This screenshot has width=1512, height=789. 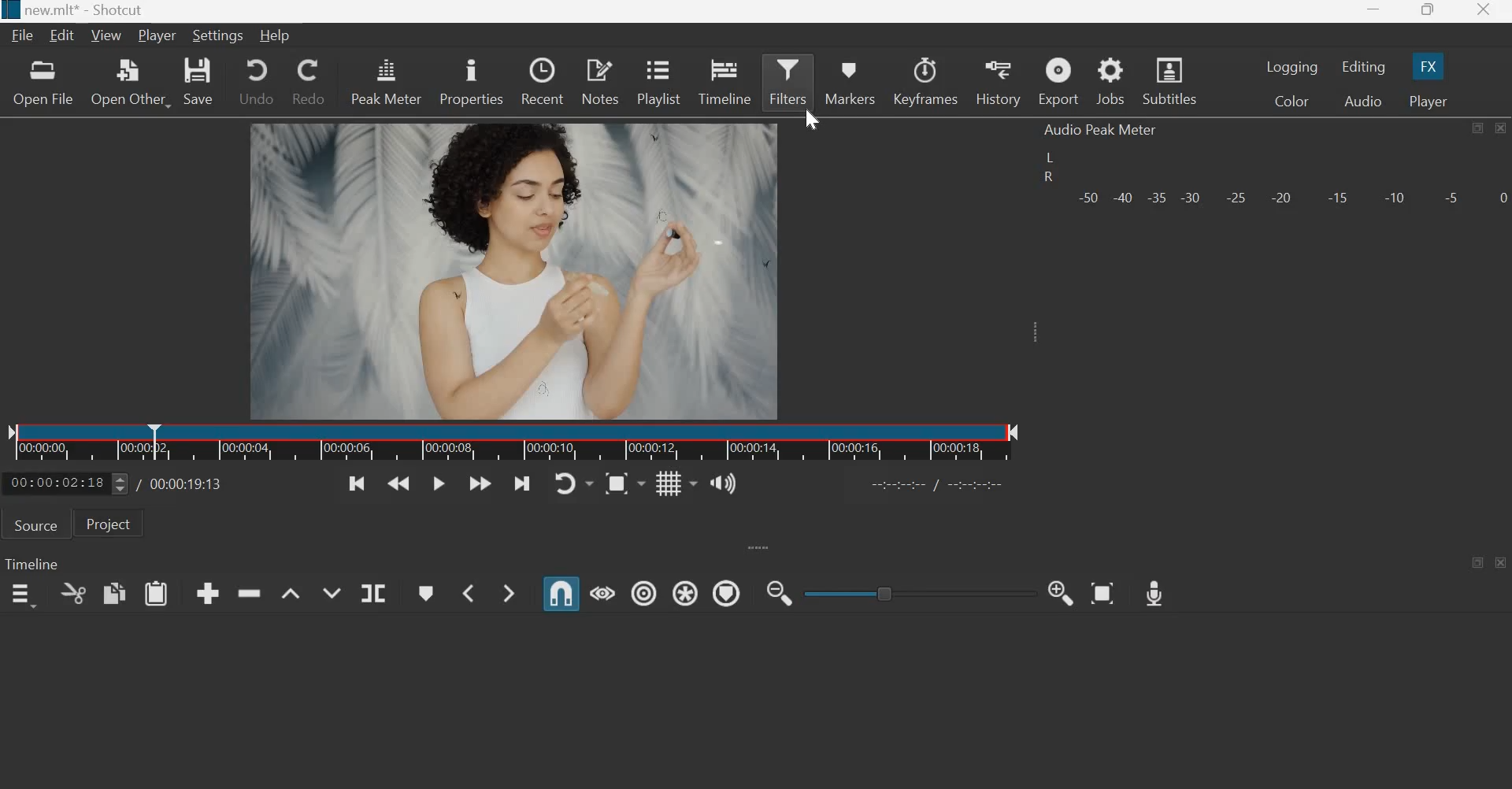 I want to click on Play quickly forwards, so click(x=481, y=483).